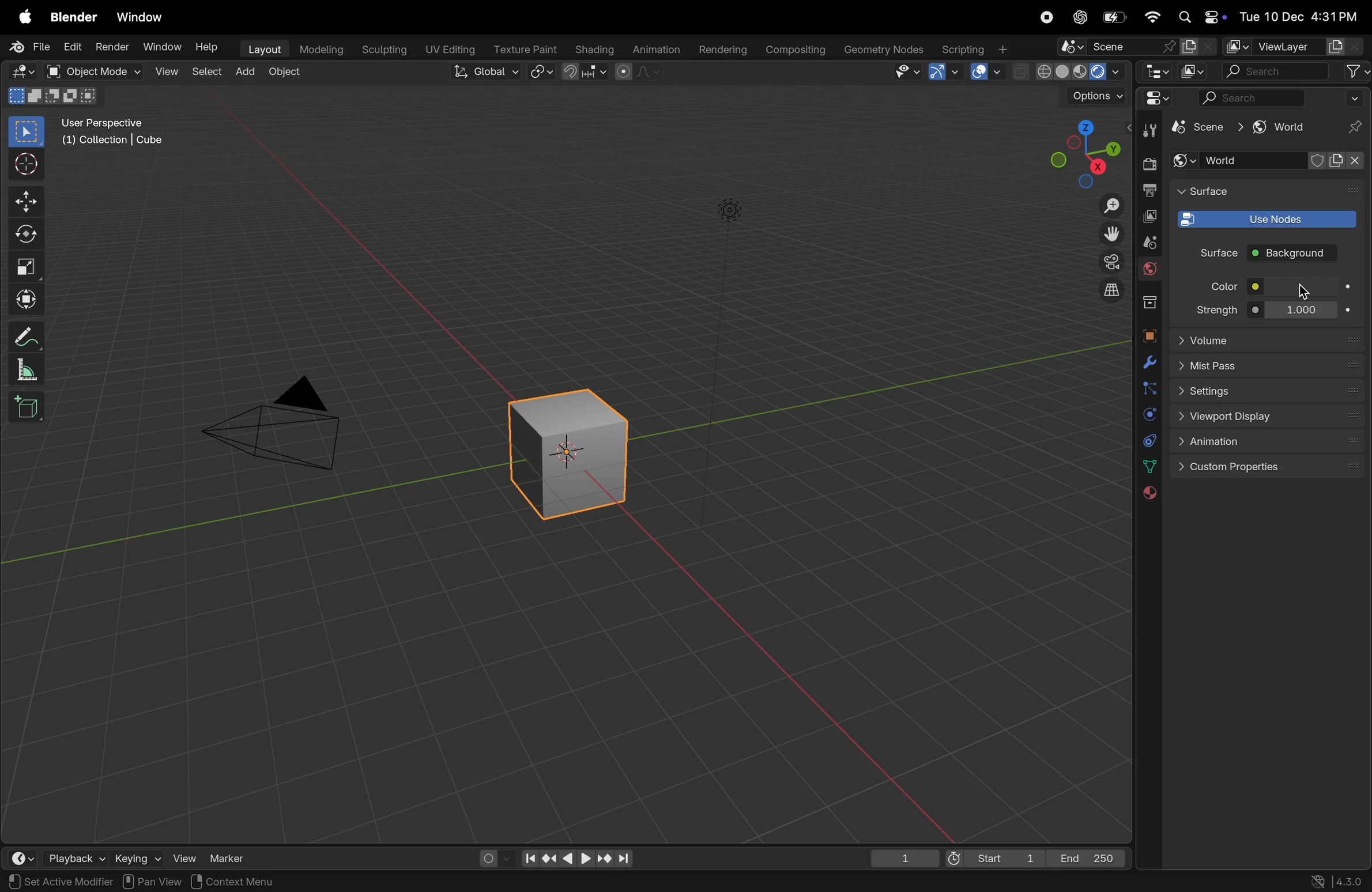 The width and height of the screenshot is (1372, 892). Describe the element at coordinates (28, 406) in the screenshot. I see `add cube` at that location.